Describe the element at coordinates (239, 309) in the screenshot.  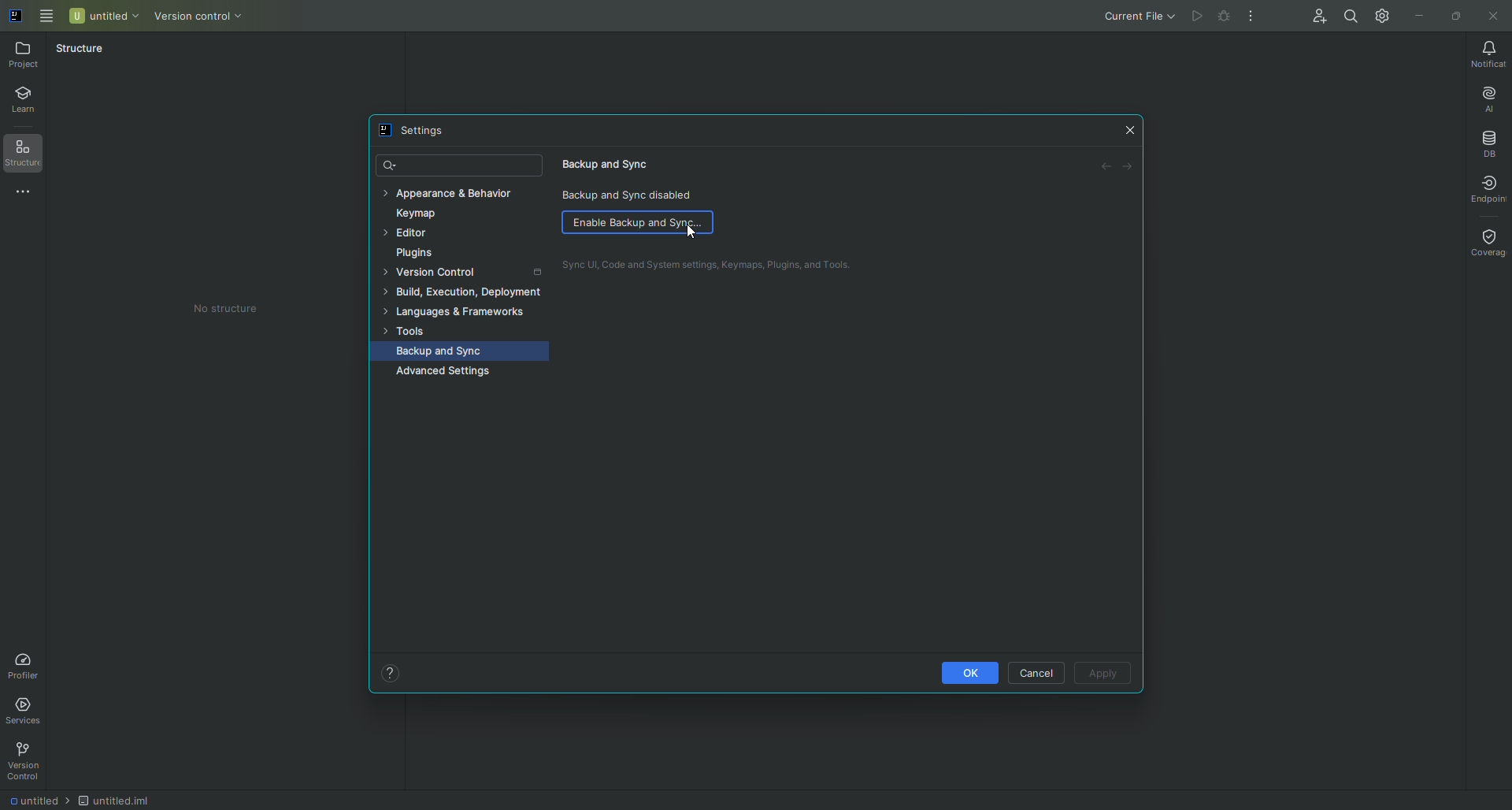
I see `No structure` at that location.